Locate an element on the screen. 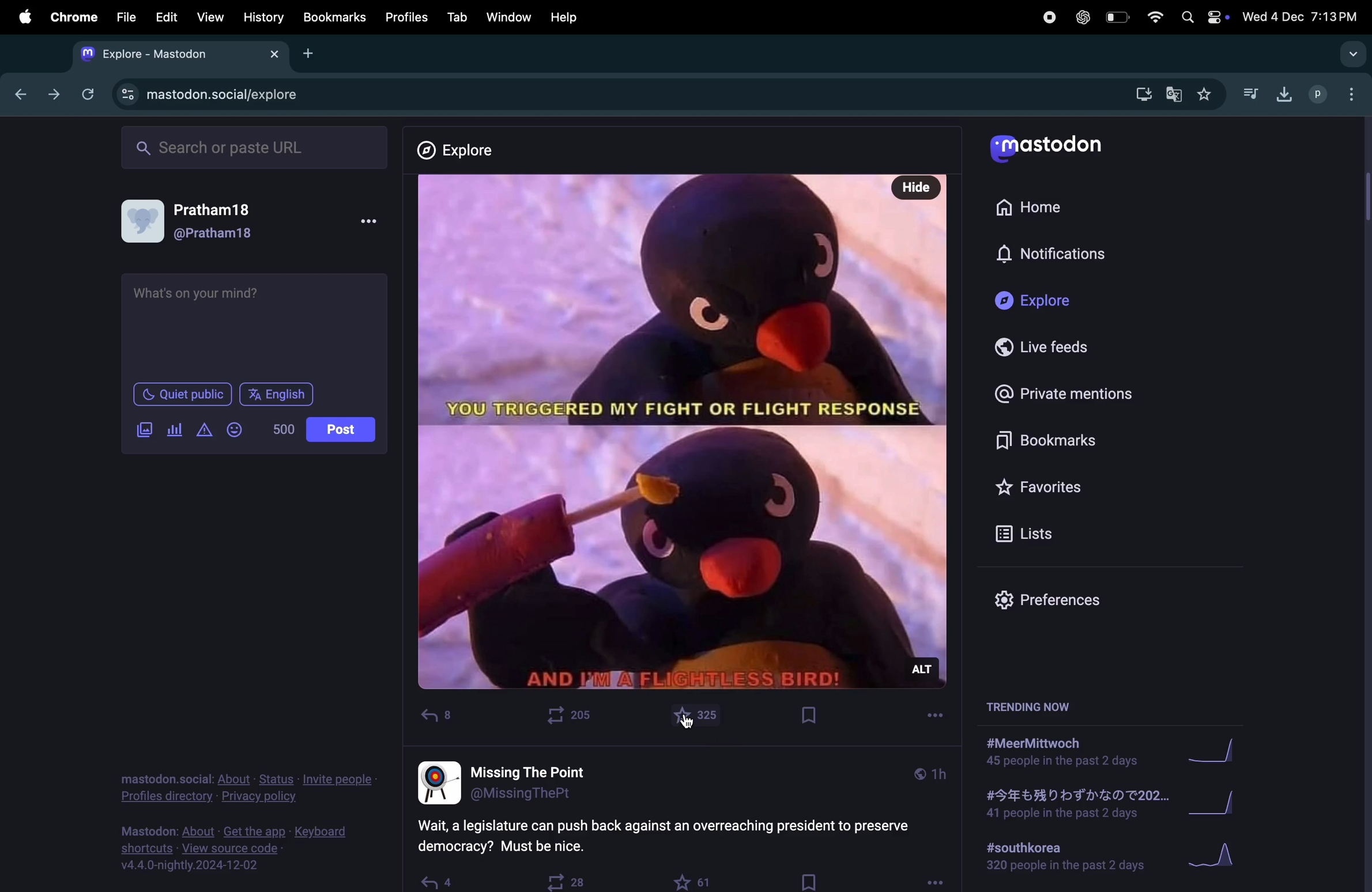  refresh is located at coordinates (85, 95).